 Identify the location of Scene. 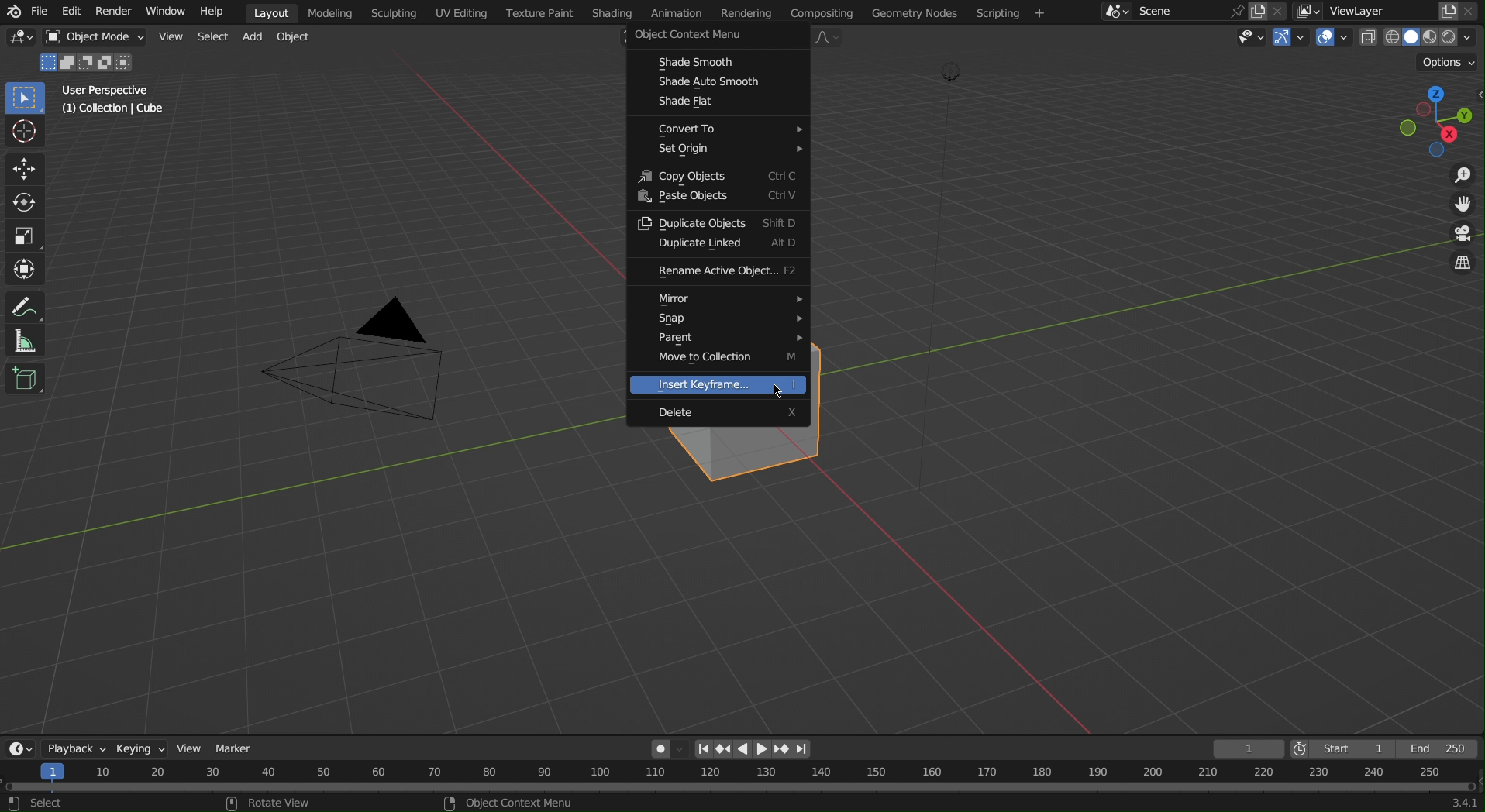
(1280, 12).